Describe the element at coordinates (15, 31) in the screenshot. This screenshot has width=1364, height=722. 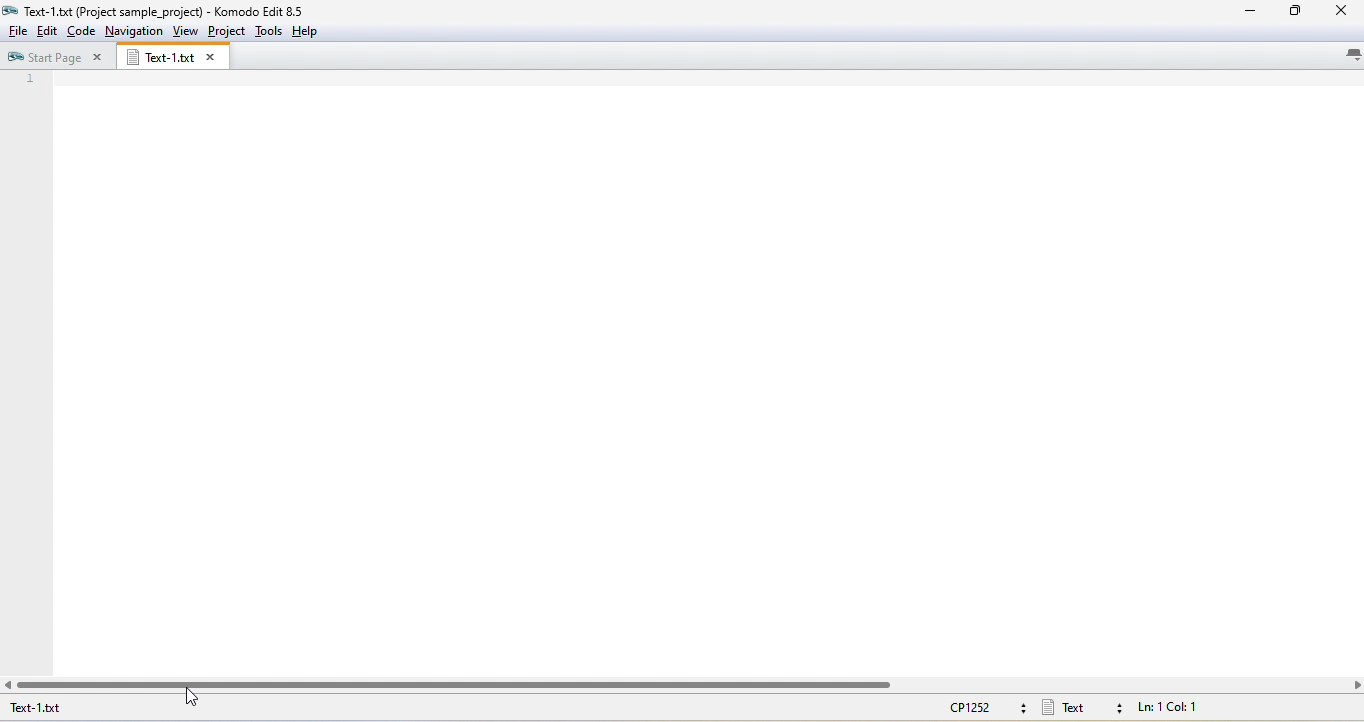
I see `file` at that location.